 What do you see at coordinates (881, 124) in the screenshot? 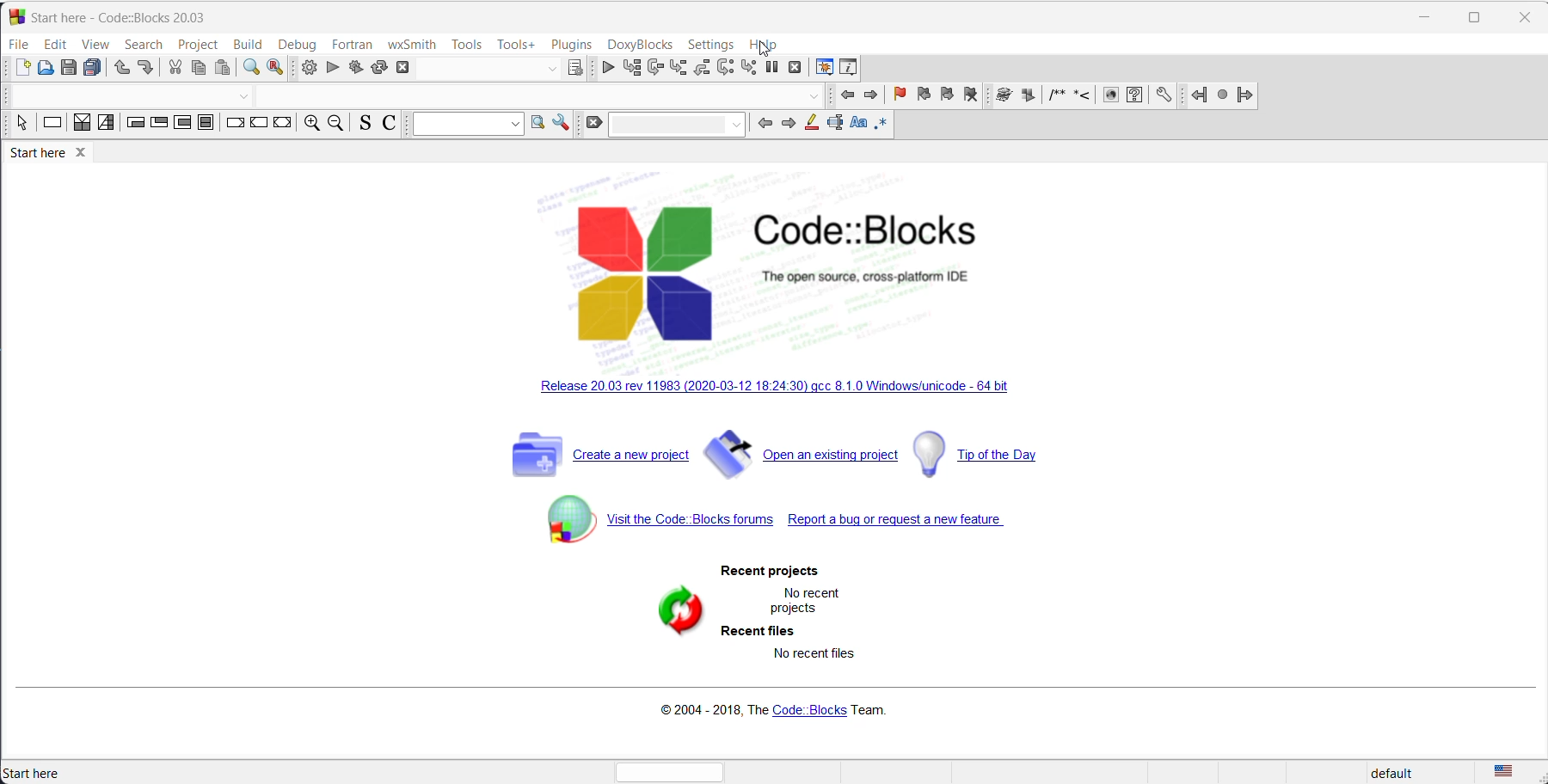
I see `regex` at bounding box center [881, 124].